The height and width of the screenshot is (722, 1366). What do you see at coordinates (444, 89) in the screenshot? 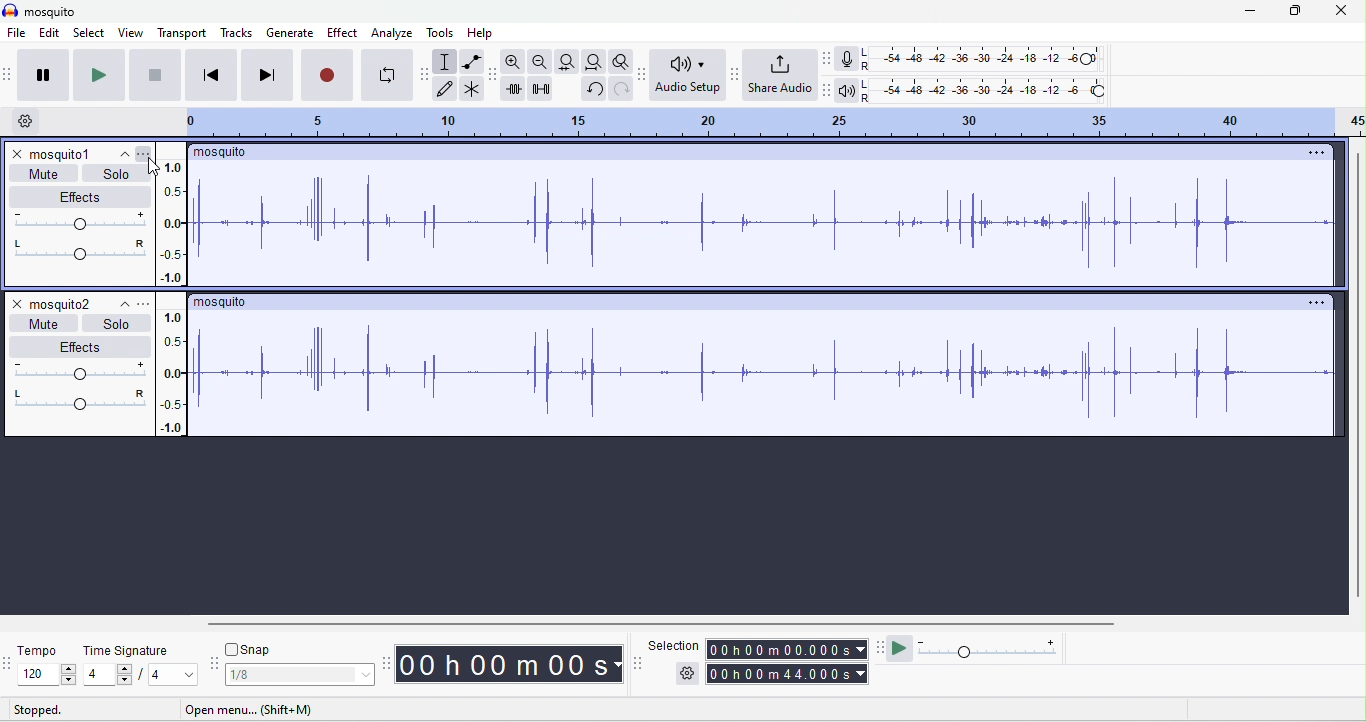
I see `draw` at bounding box center [444, 89].